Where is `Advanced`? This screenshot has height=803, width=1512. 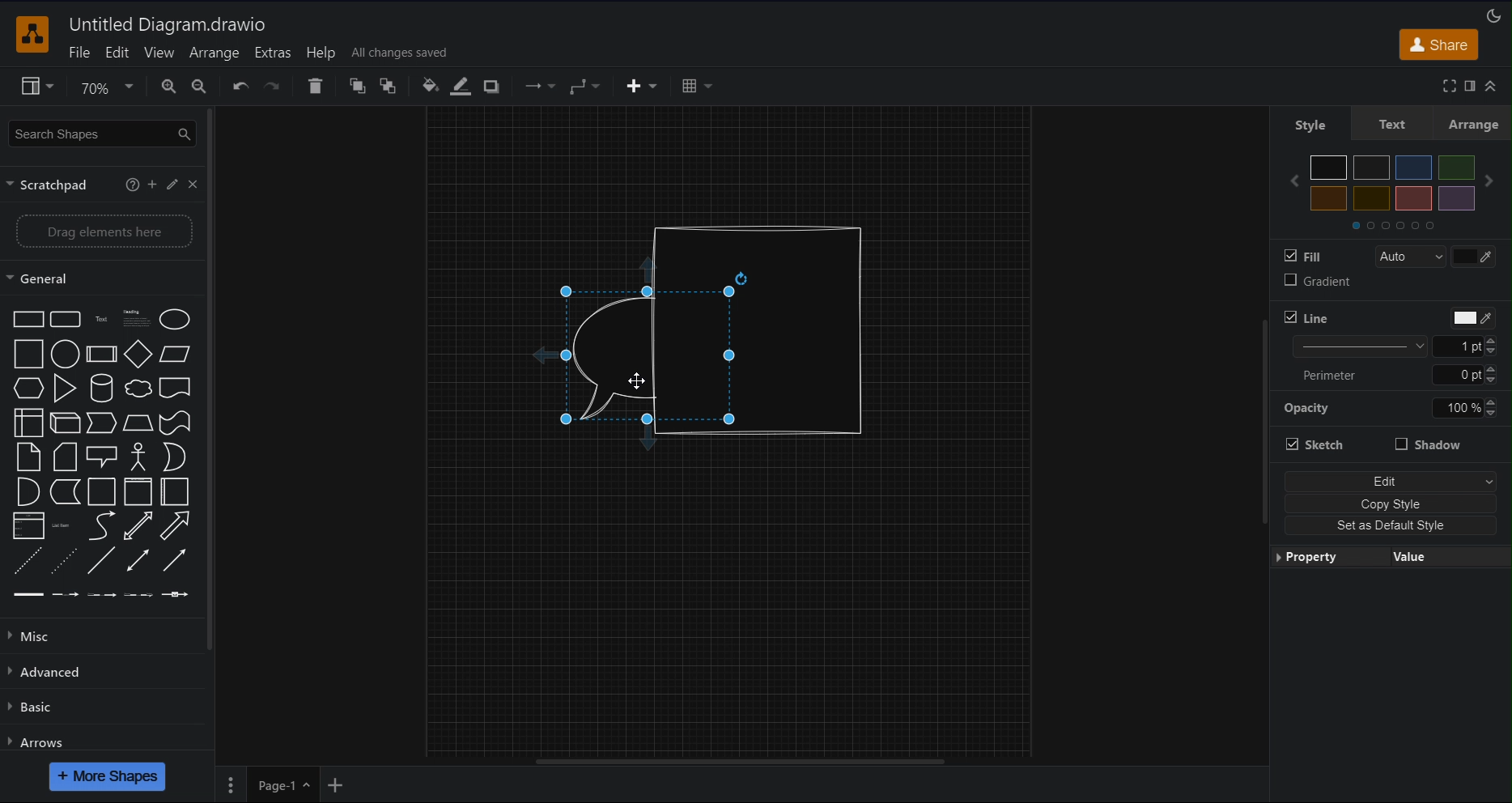 Advanced is located at coordinates (103, 672).